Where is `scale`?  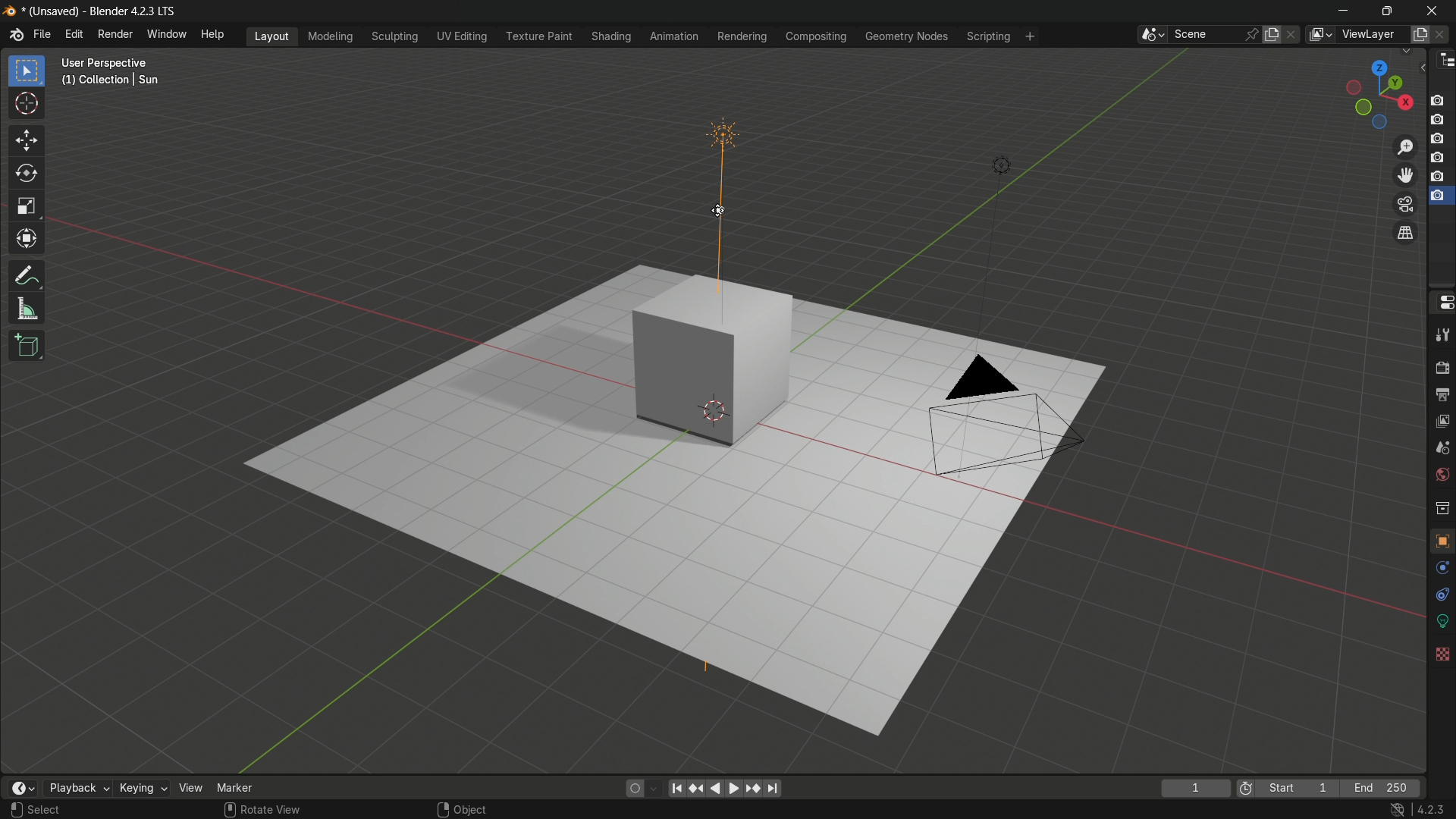 scale is located at coordinates (26, 208).